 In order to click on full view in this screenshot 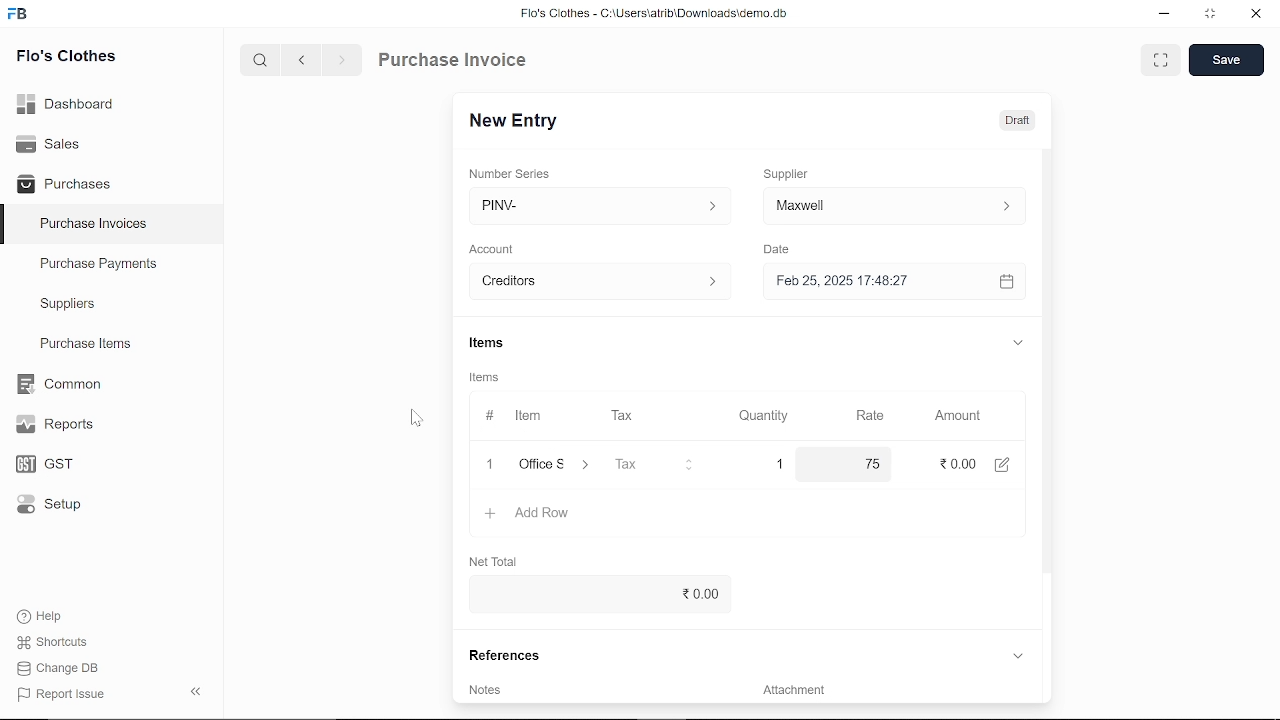, I will do `click(1162, 60)`.